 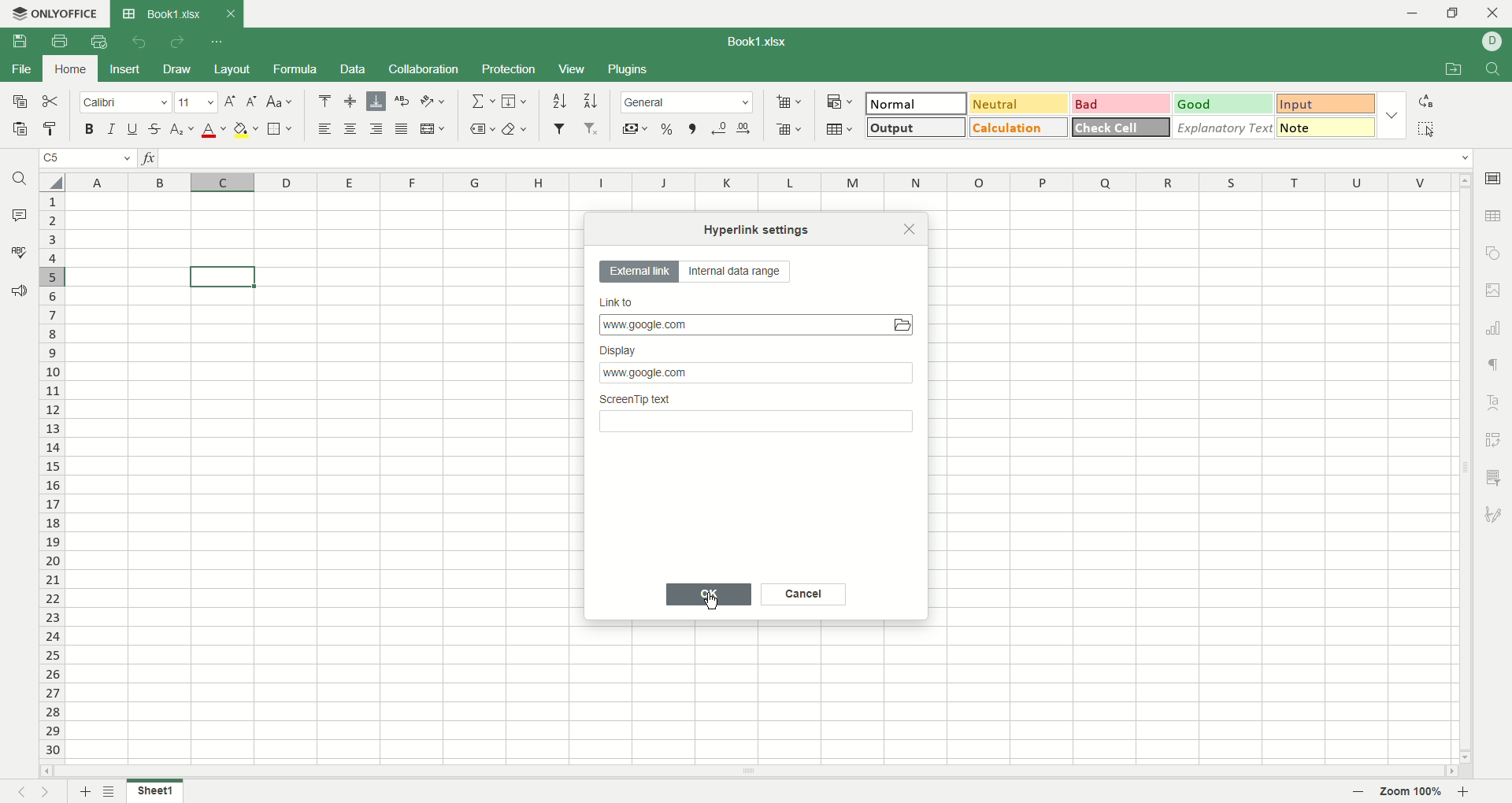 I want to click on cancel, so click(x=804, y=595).